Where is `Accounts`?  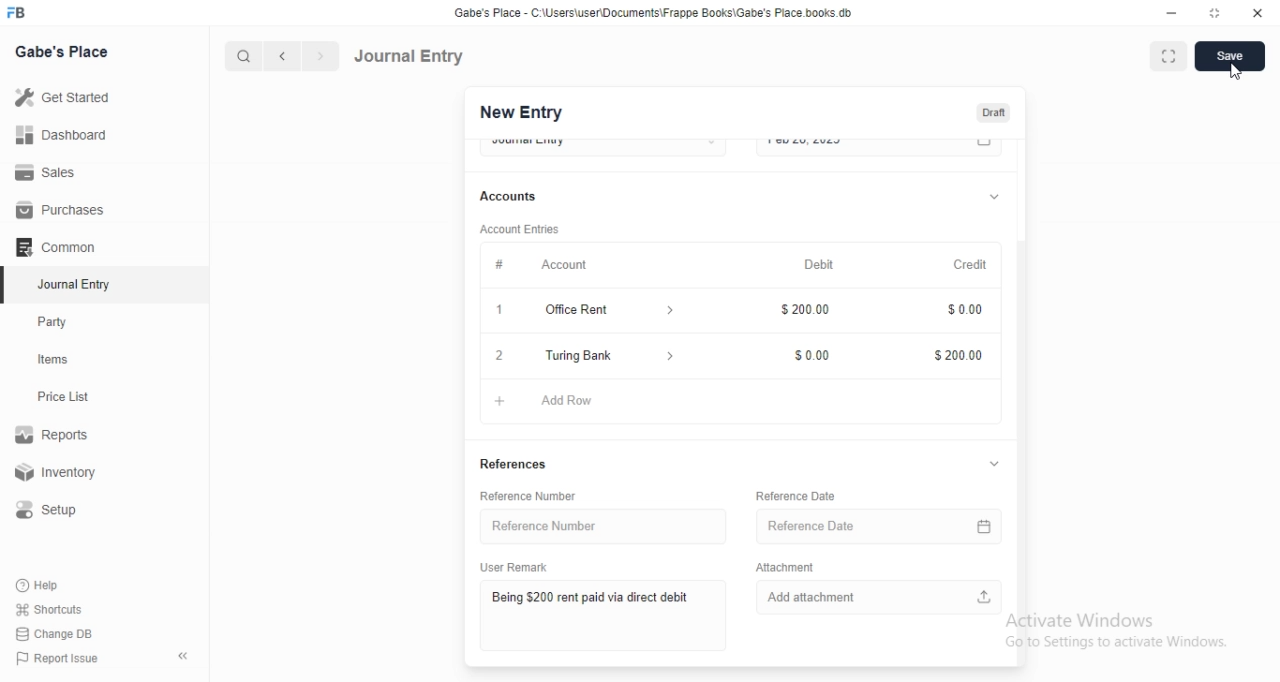 Accounts is located at coordinates (511, 196).